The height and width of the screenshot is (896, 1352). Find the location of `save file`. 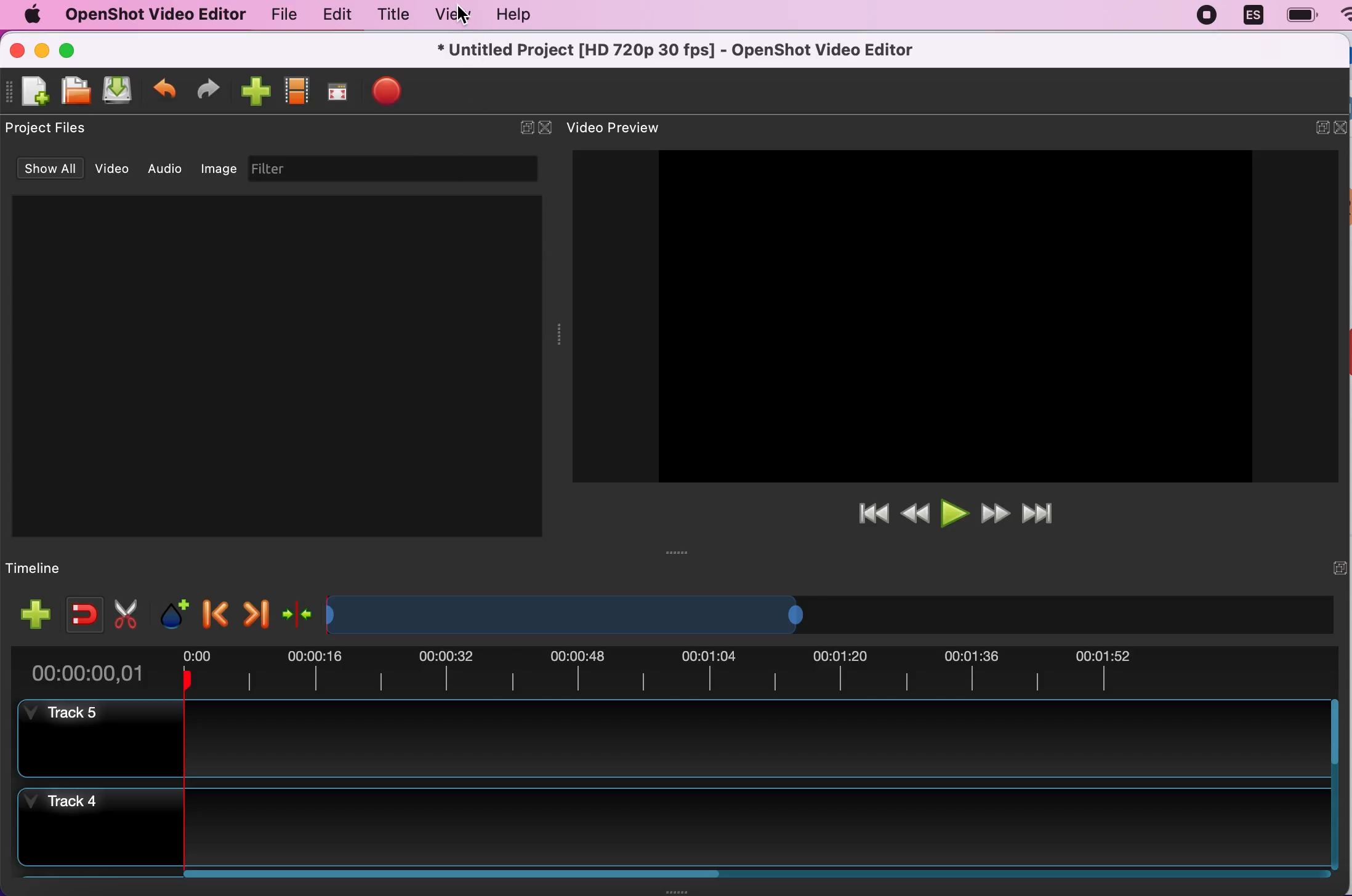

save file is located at coordinates (118, 91).